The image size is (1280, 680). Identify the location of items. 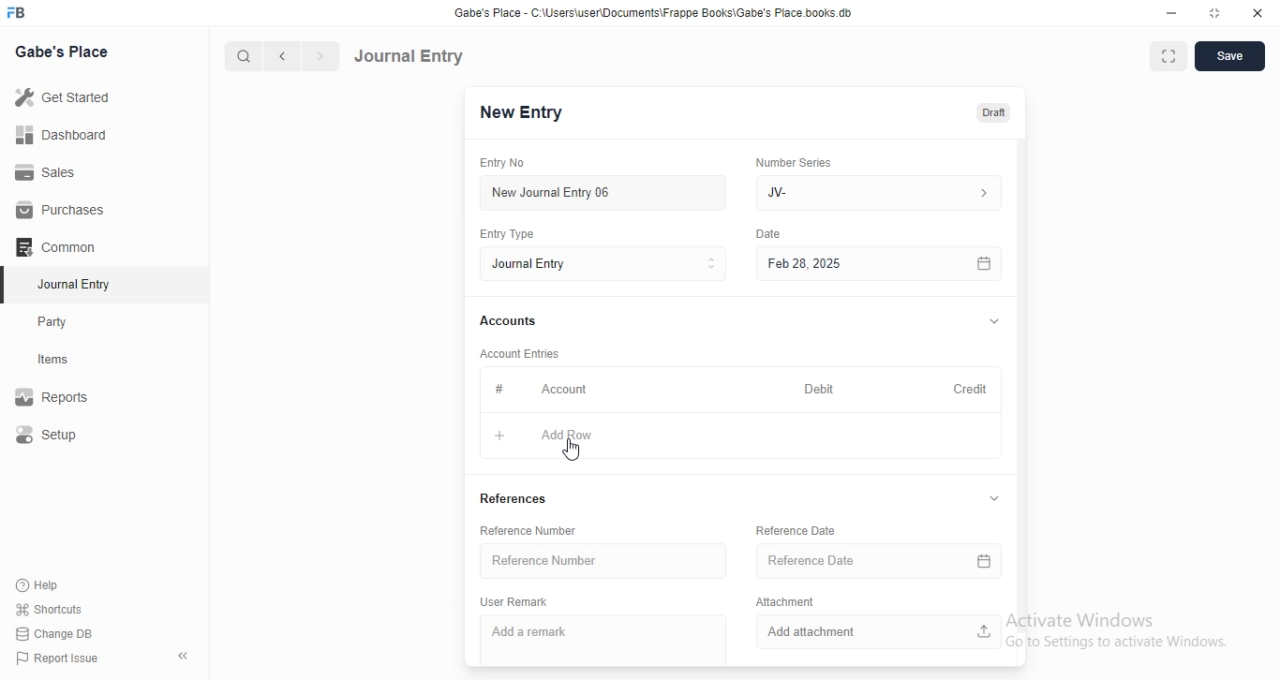
(66, 361).